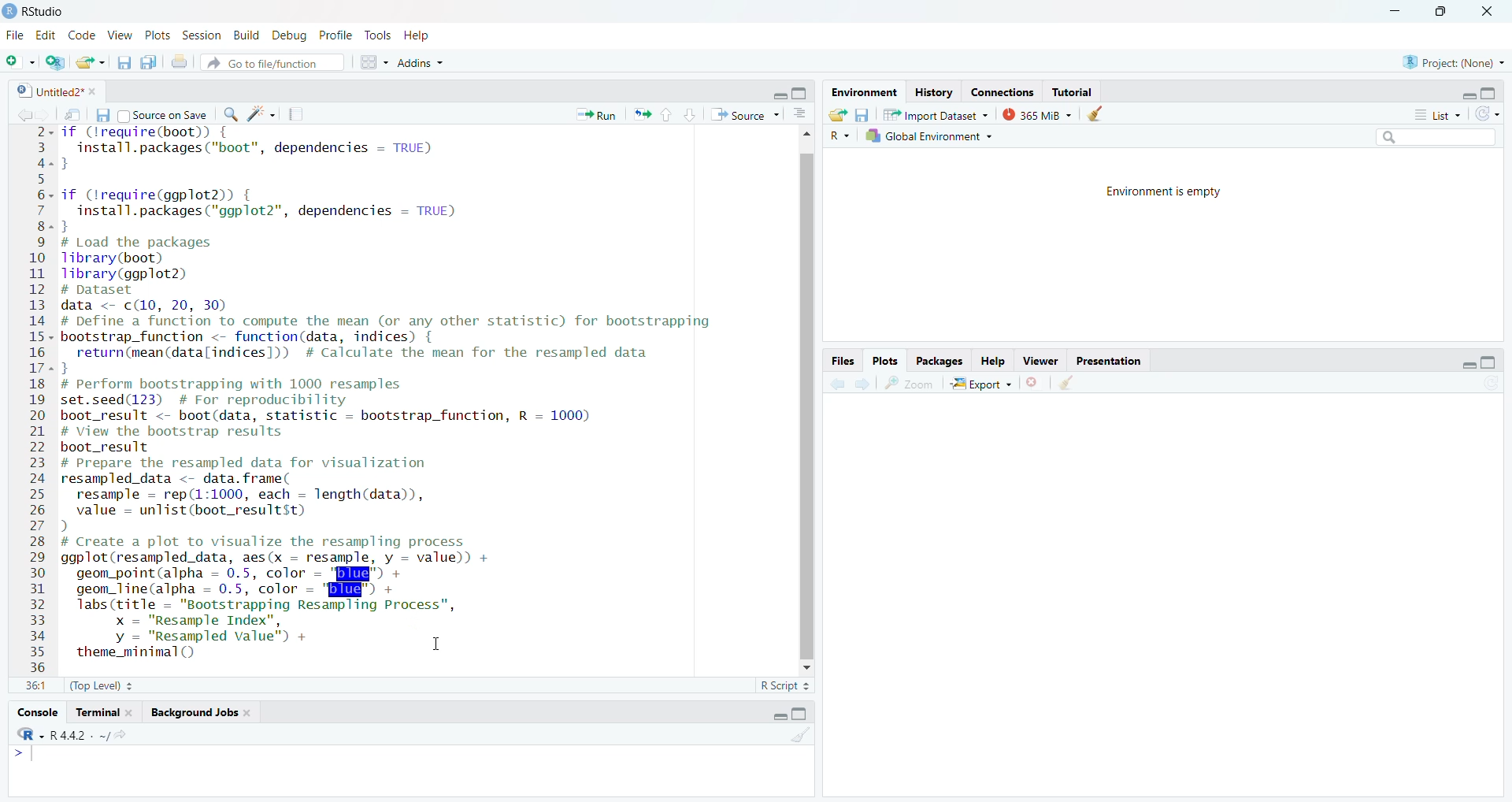 This screenshot has width=1512, height=802. Describe the element at coordinates (1453, 61) in the screenshot. I see `®) Project: (None) ~` at that location.